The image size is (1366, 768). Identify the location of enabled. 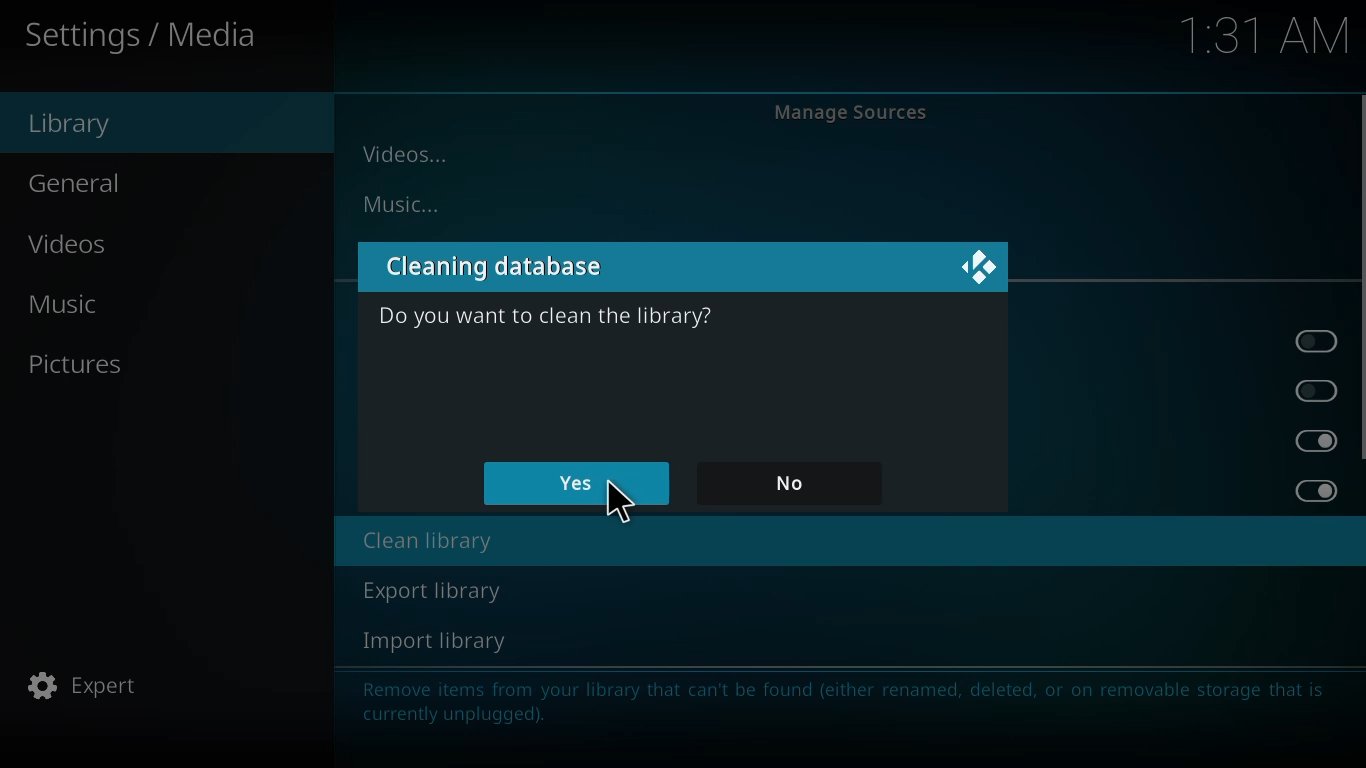
(1317, 492).